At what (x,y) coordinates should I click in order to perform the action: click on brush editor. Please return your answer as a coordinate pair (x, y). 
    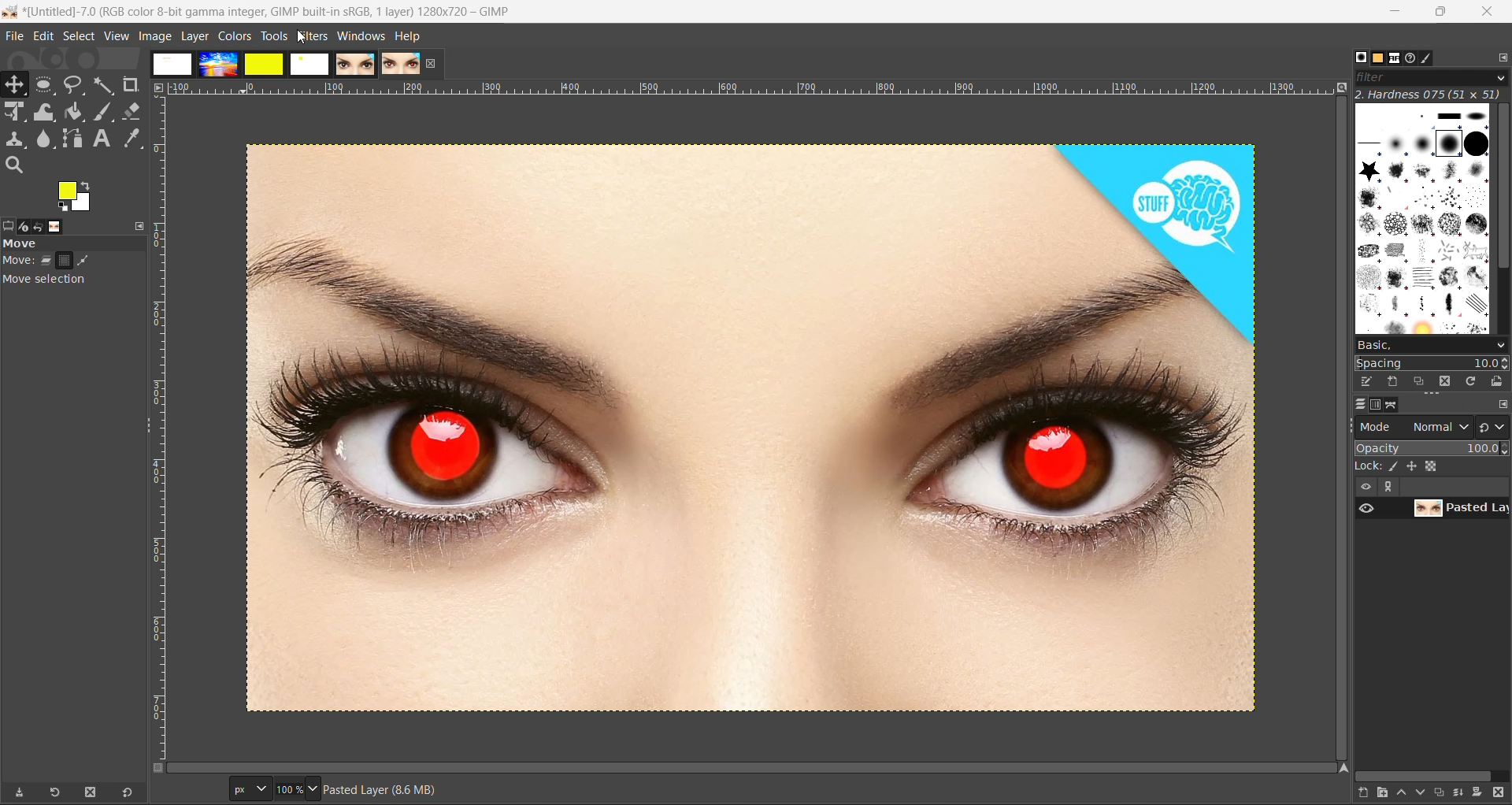
    Looking at the image, I should click on (1434, 59).